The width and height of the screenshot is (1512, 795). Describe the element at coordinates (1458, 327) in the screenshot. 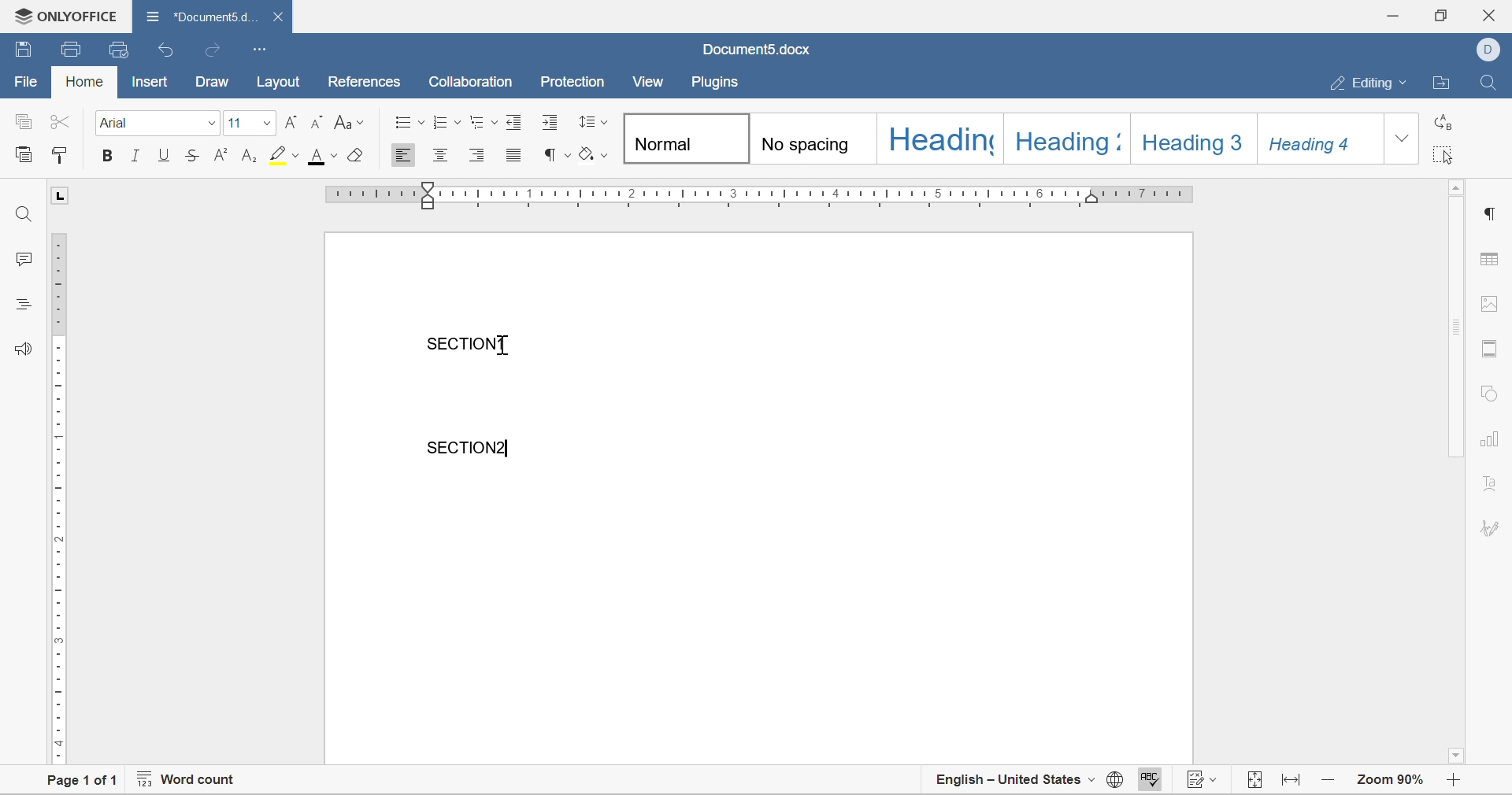

I see `scroll bar` at that location.